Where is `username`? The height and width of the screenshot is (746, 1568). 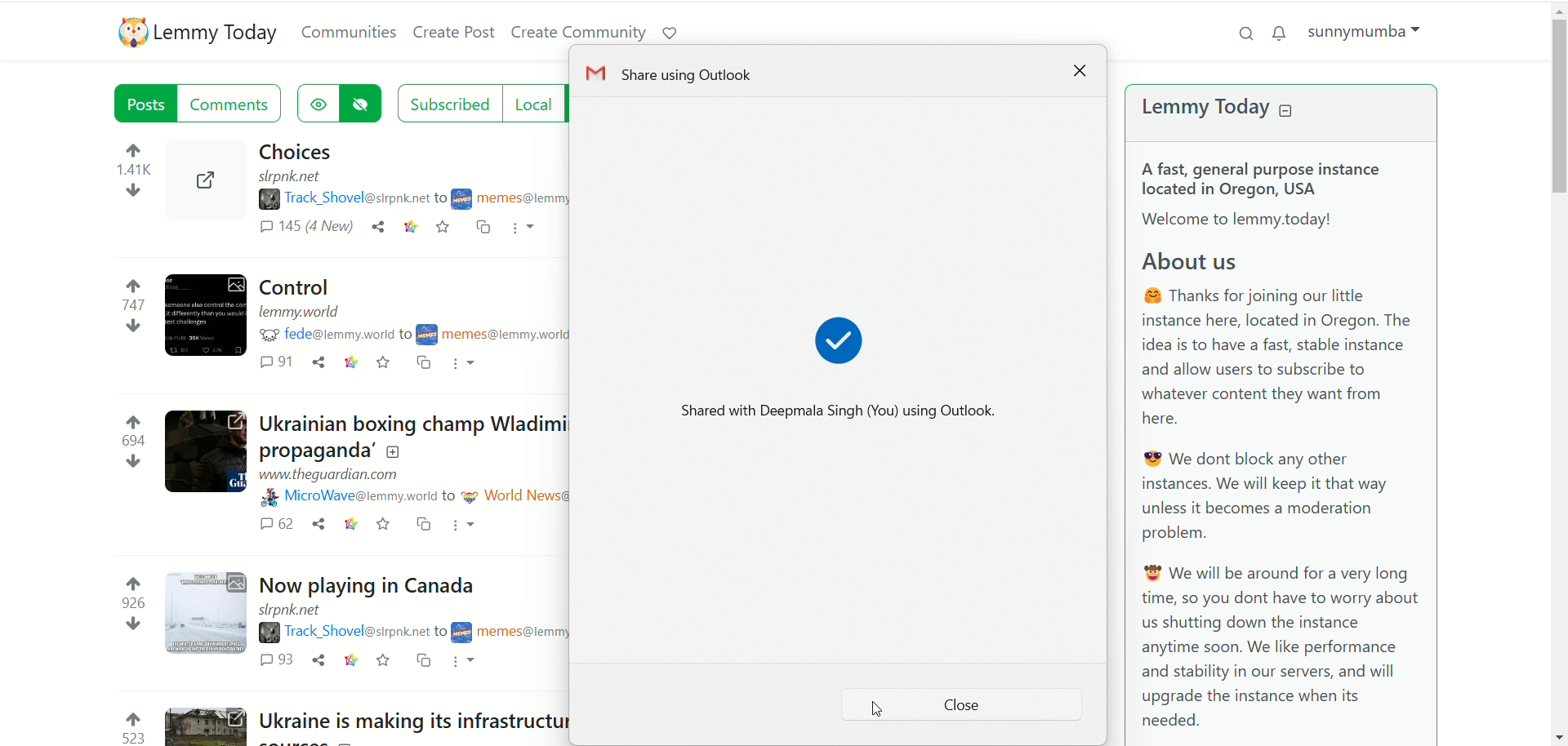
username is located at coordinates (342, 633).